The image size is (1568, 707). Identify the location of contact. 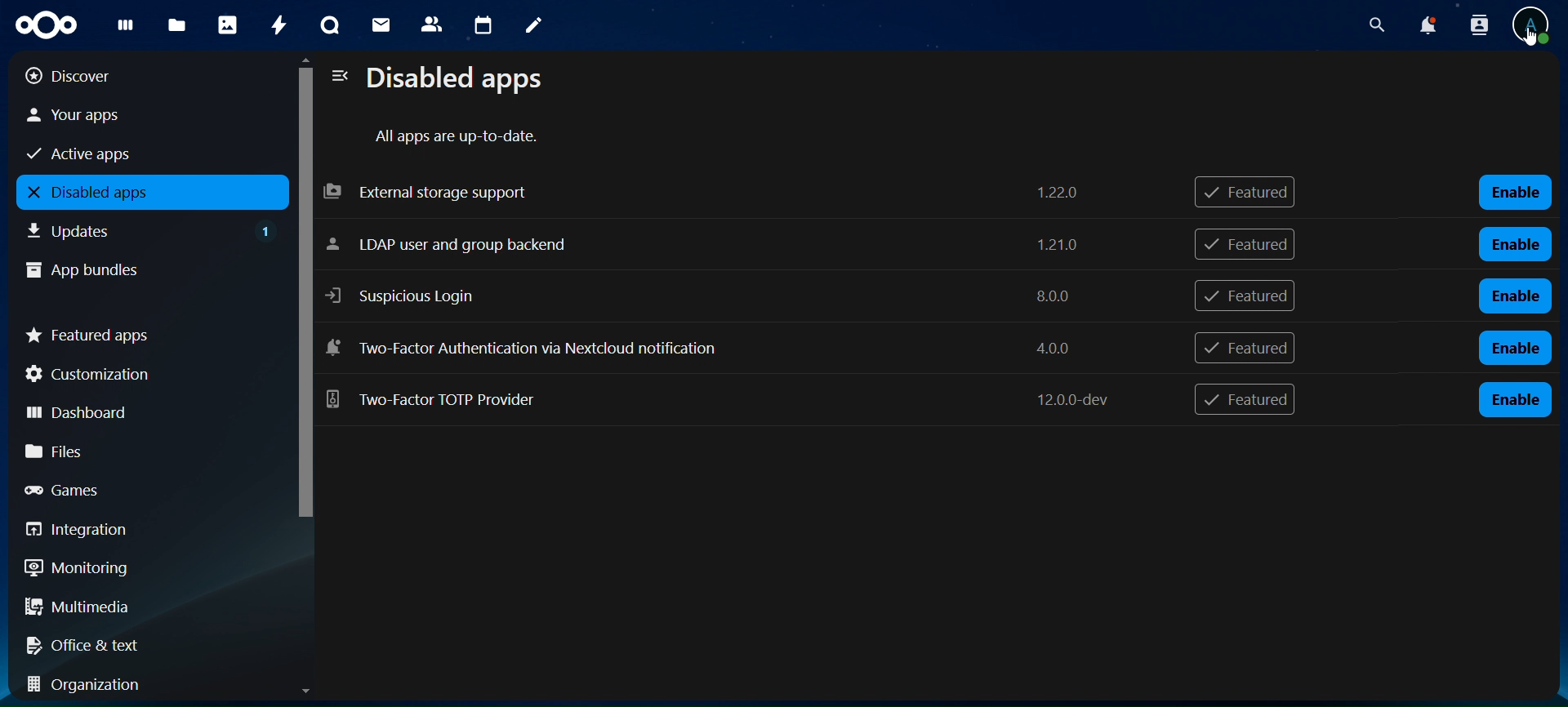
(432, 23).